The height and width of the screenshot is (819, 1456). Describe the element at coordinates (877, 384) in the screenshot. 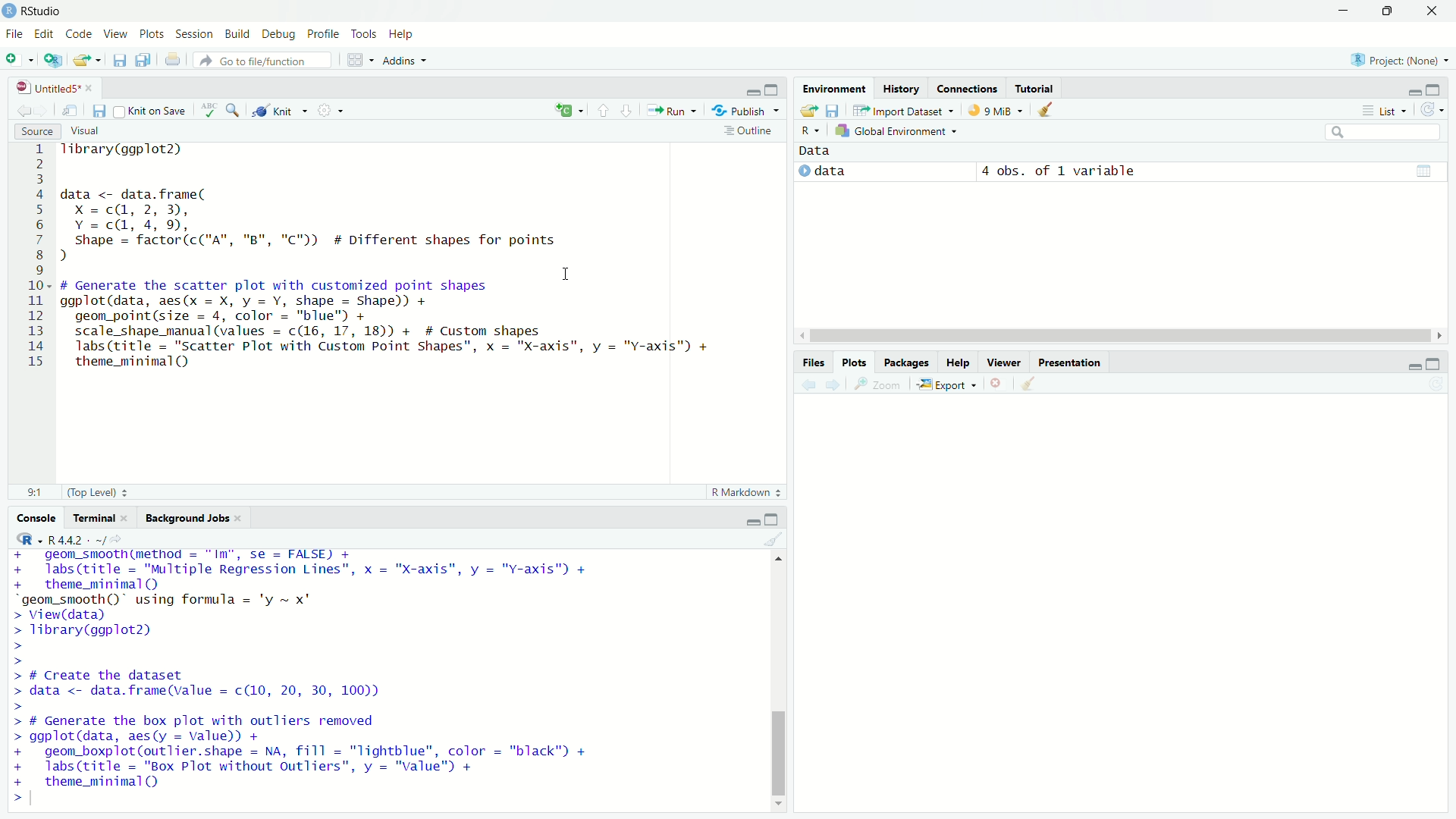

I see `Zoom` at that location.